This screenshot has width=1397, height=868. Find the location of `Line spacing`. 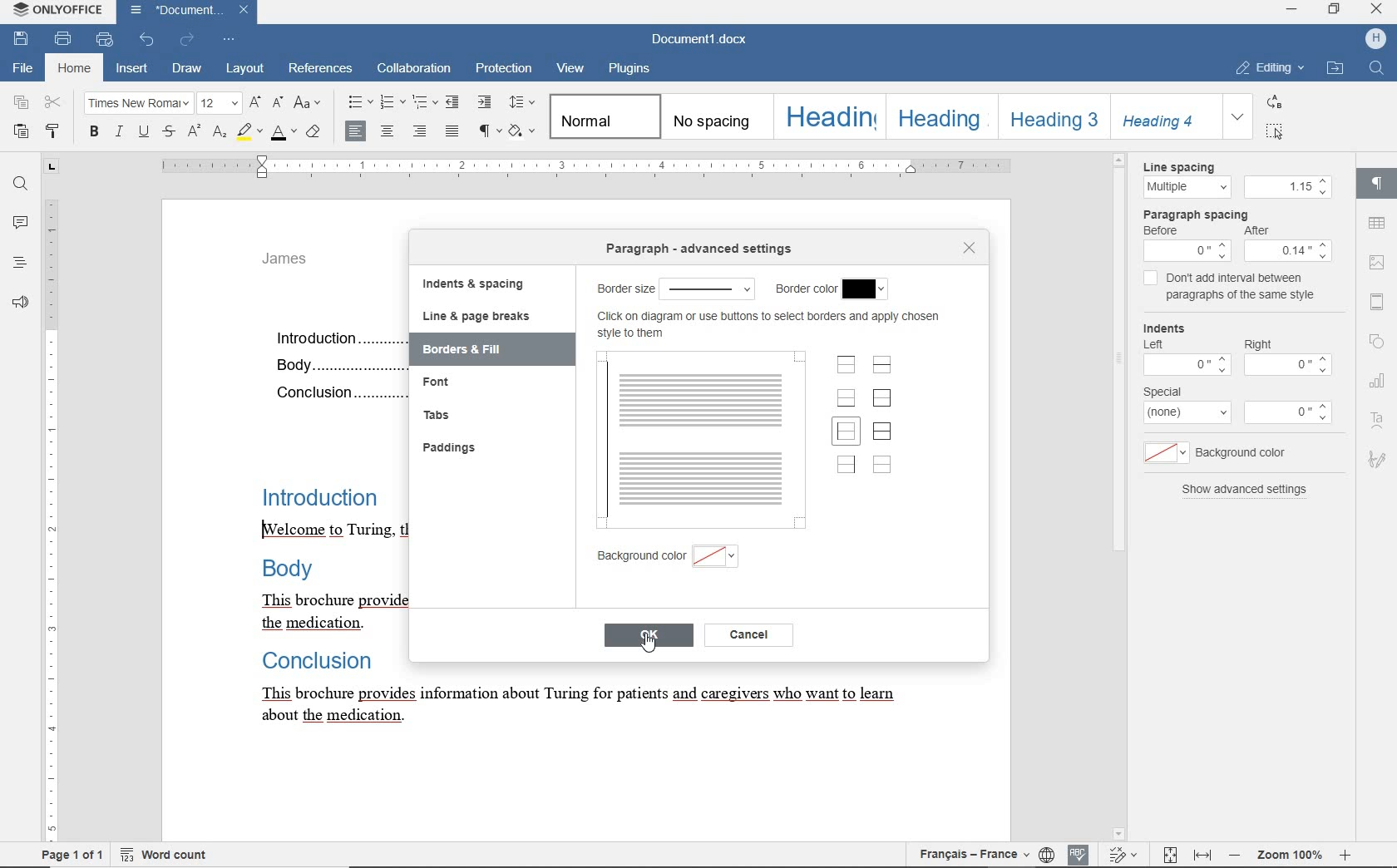

Line spacing is located at coordinates (1192, 166).